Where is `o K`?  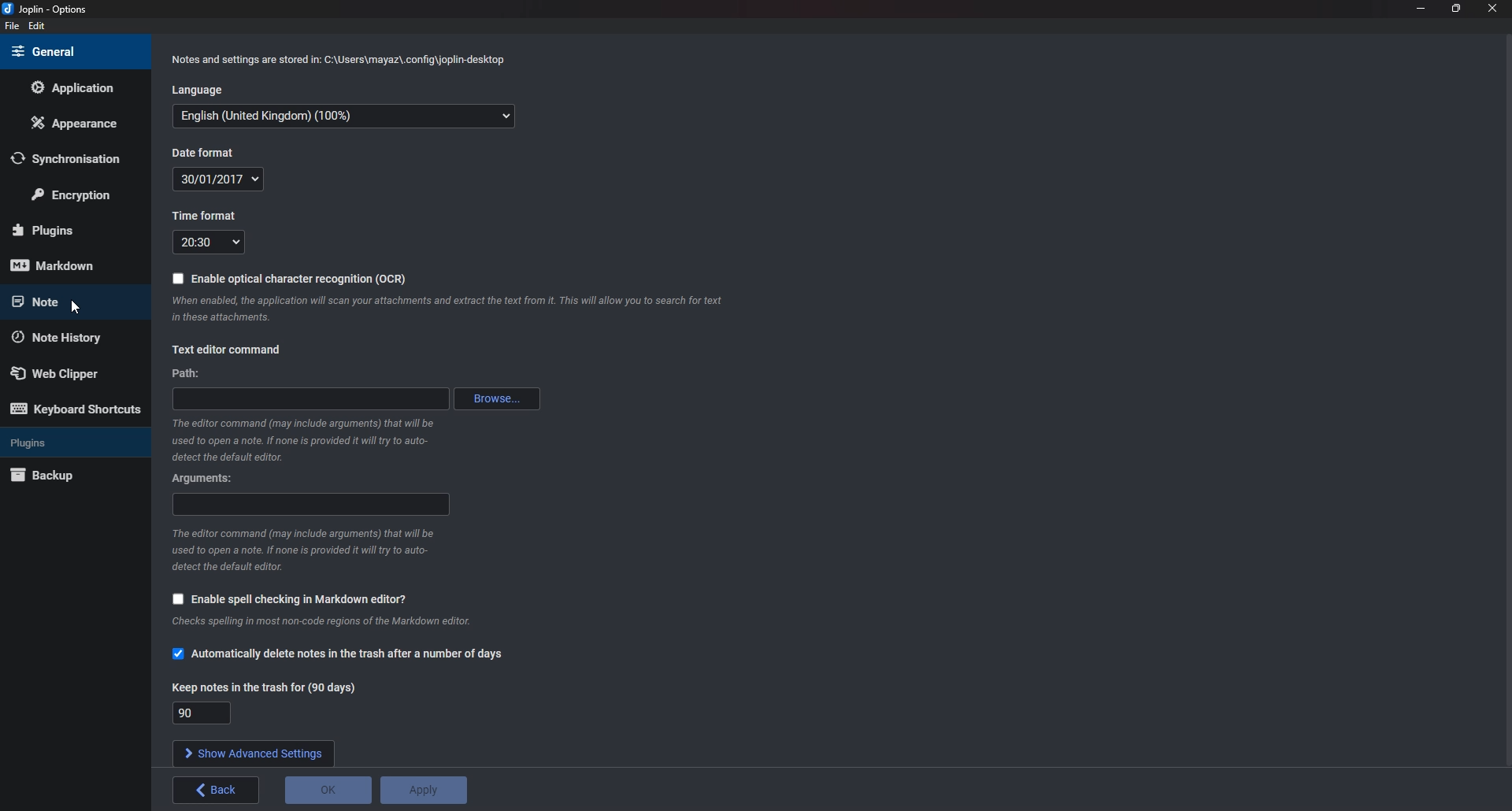
o K is located at coordinates (328, 789).